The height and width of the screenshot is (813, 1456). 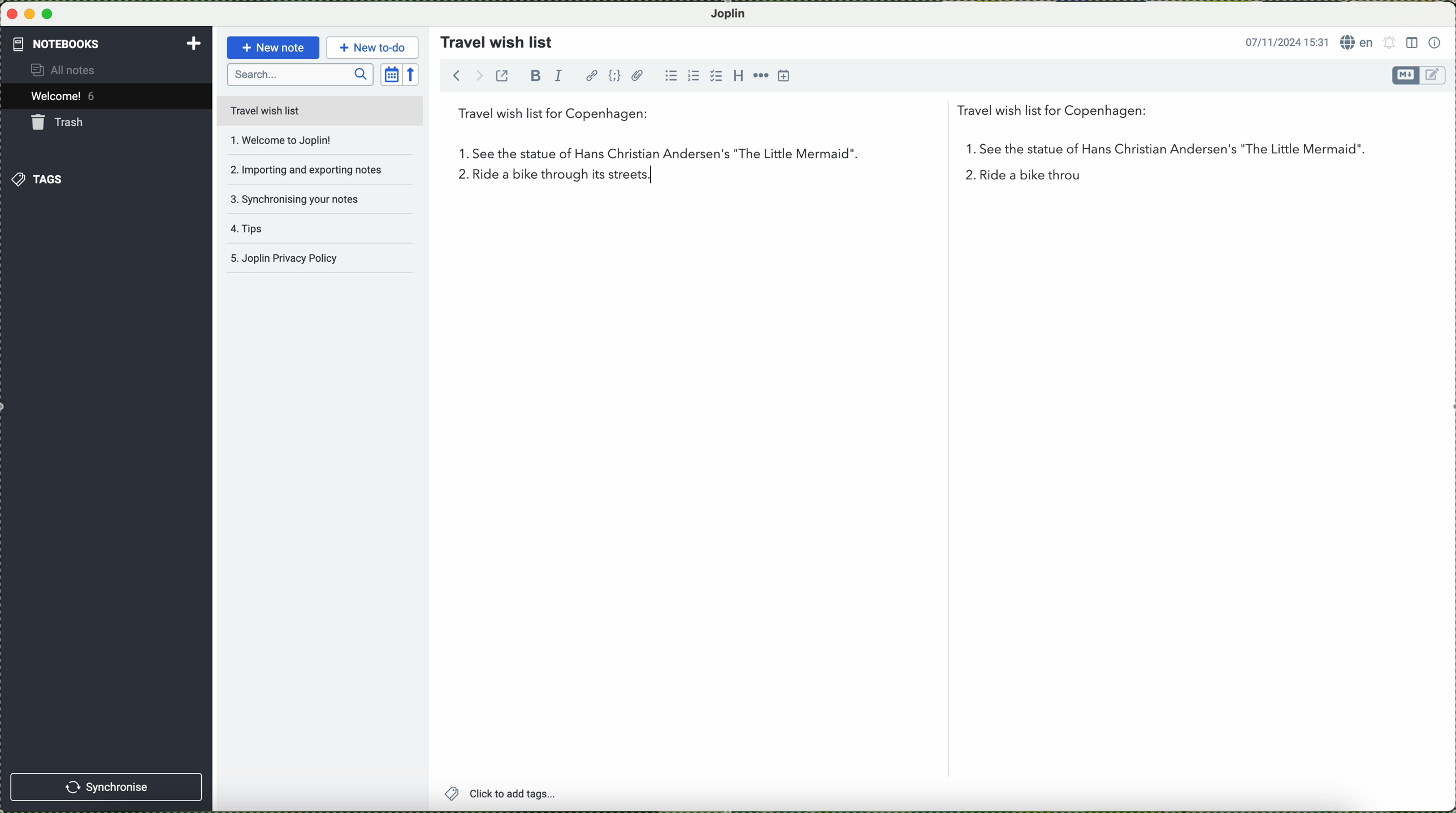 I want to click on language, so click(x=1357, y=42).